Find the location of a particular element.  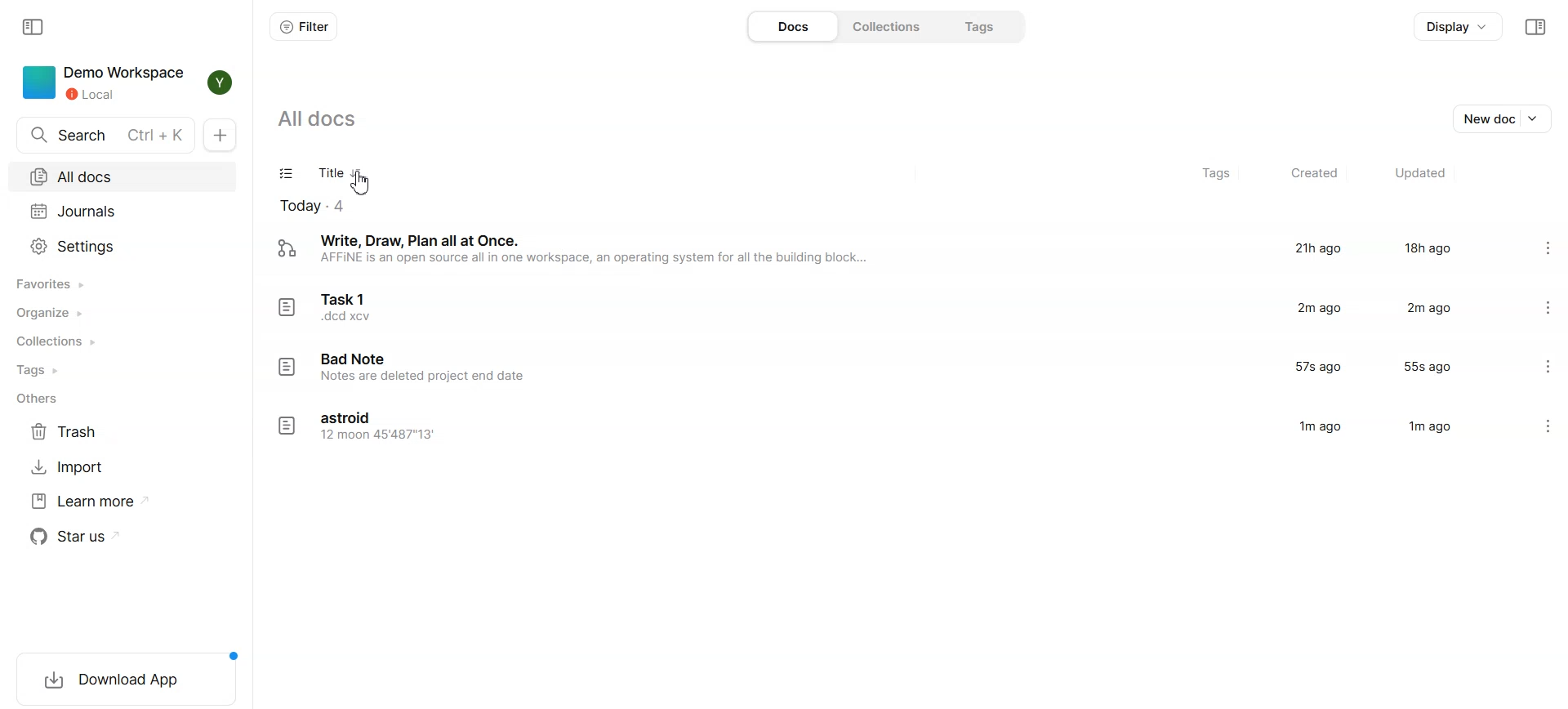

Task 1 is located at coordinates (346, 299).